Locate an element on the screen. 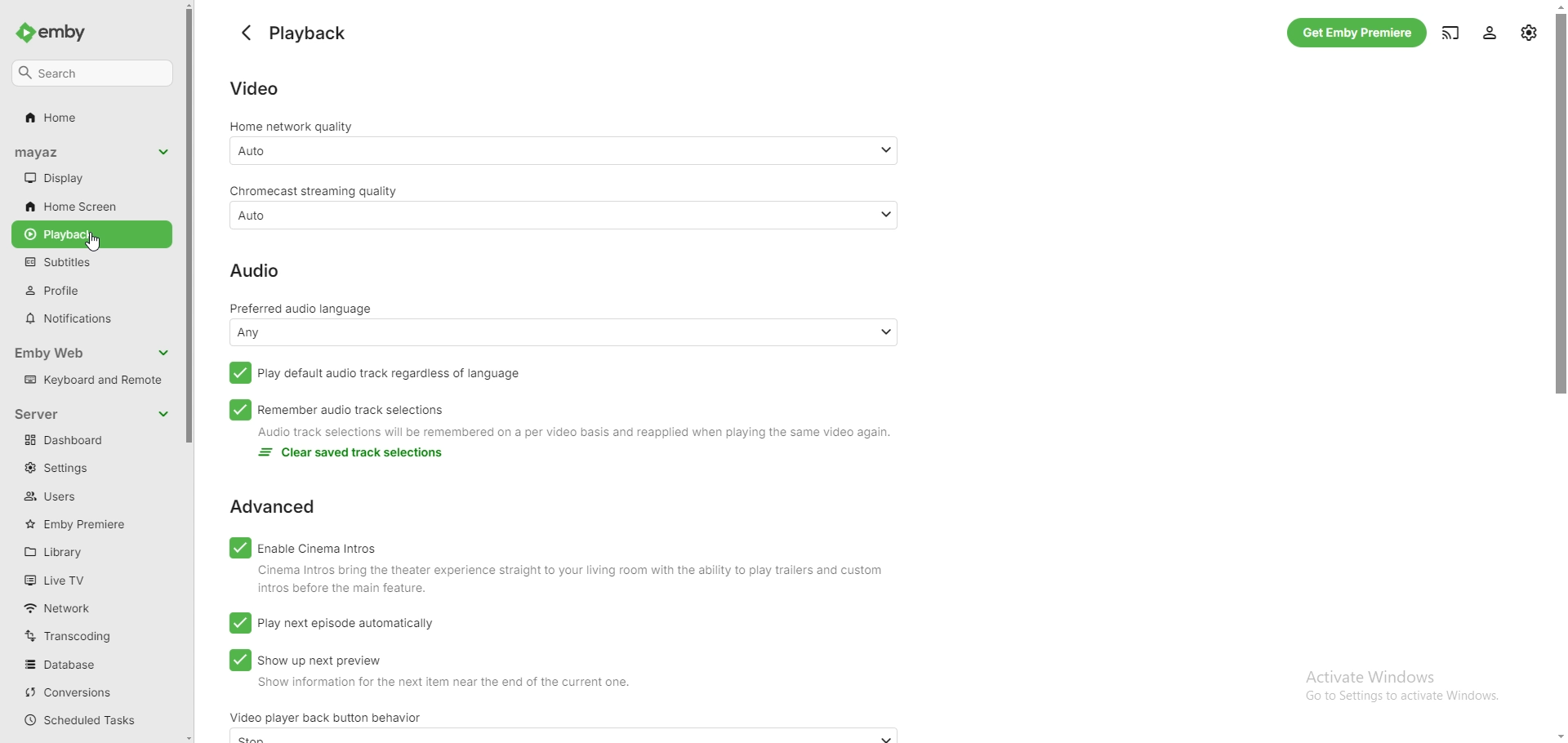  advanced is located at coordinates (273, 507).